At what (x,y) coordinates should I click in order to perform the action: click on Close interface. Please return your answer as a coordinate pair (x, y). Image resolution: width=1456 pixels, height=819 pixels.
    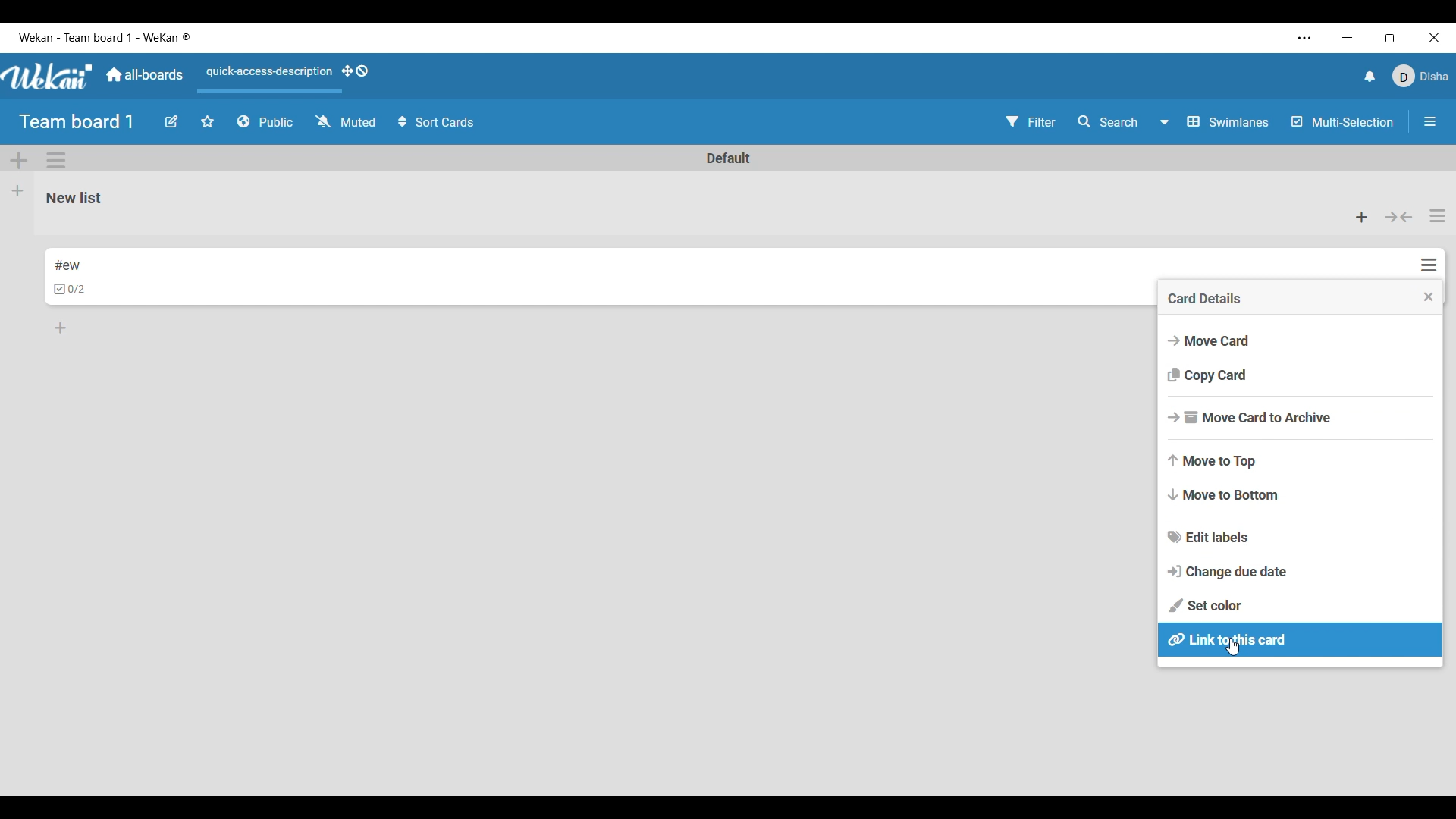
    Looking at the image, I should click on (1434, 37).